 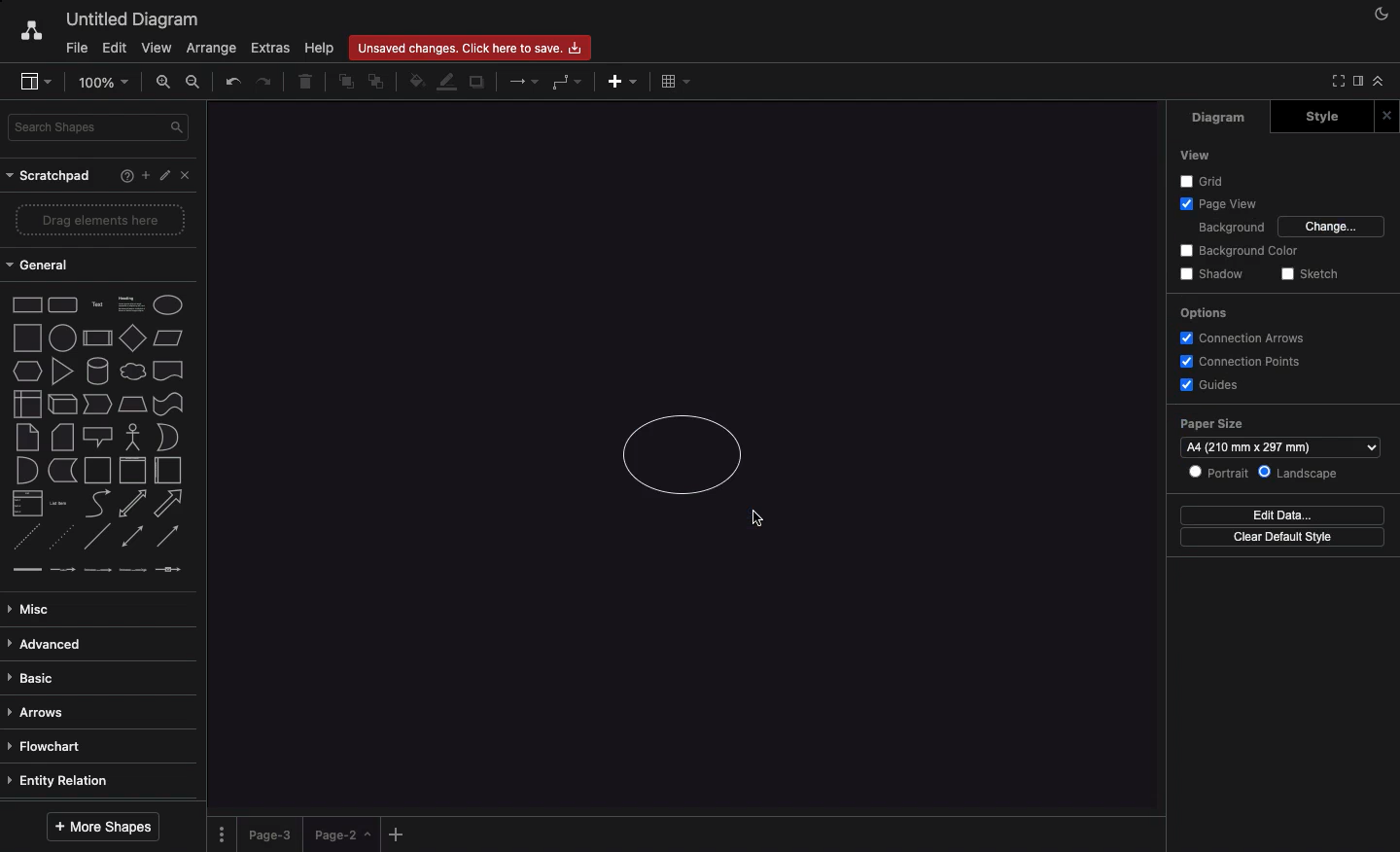 What do you see at coordinates (31, 80) in the screenshot?
I see `Sidebar` at bounding box center [31, 80].